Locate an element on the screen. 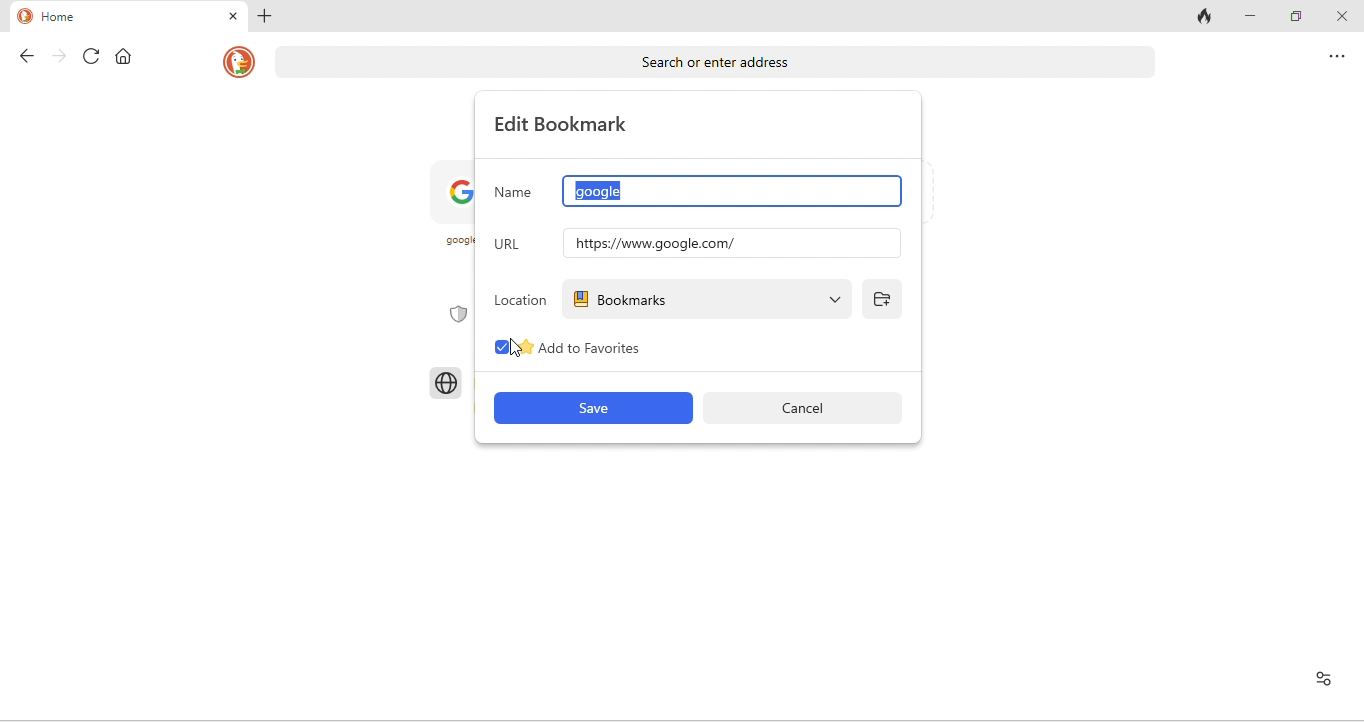 This screenshot has height=722, width=1364. google is located at coordinates (731, 193).